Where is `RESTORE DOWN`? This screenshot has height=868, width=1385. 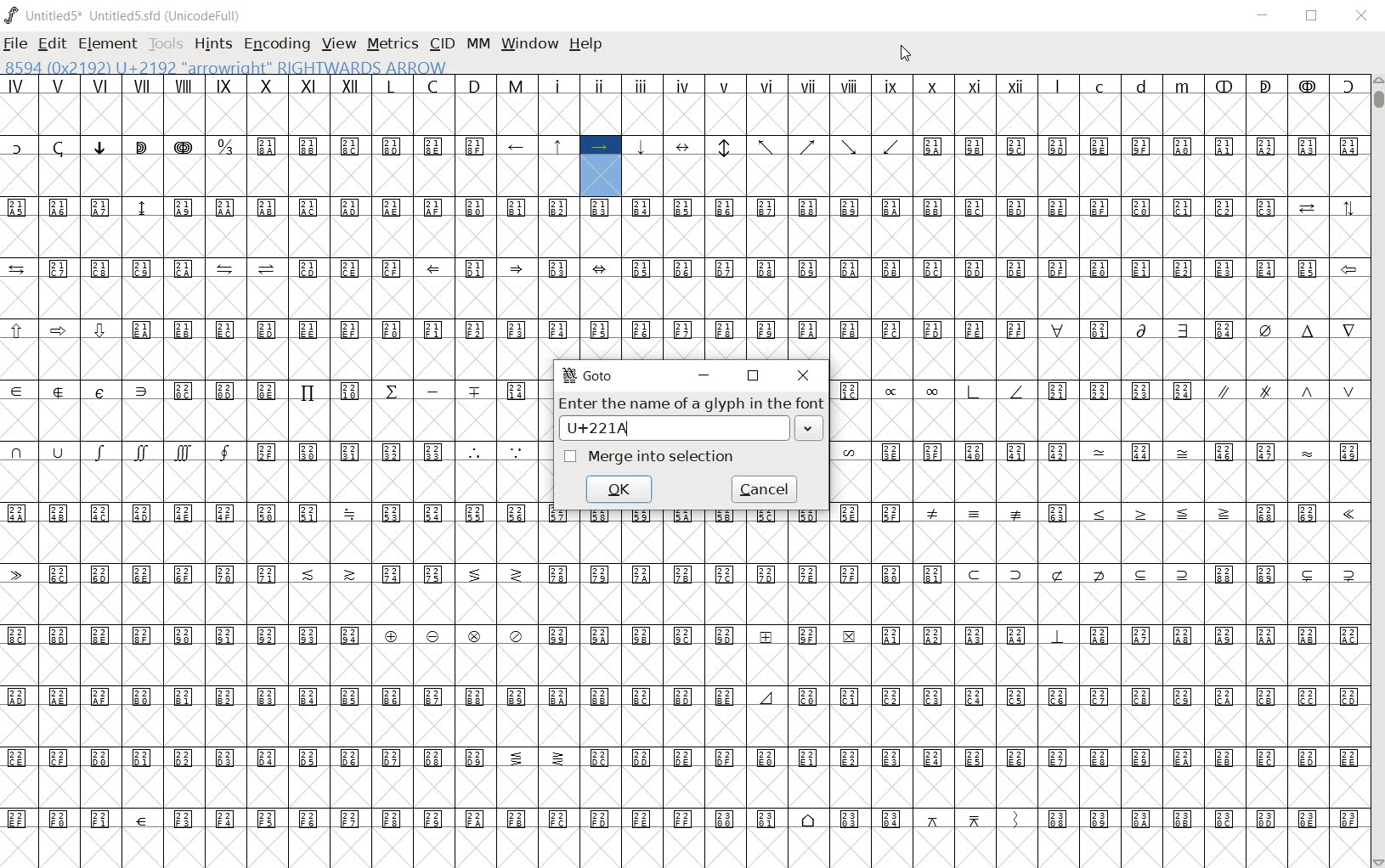
RESTORE DOWN is located at coordinates (1313, 16).